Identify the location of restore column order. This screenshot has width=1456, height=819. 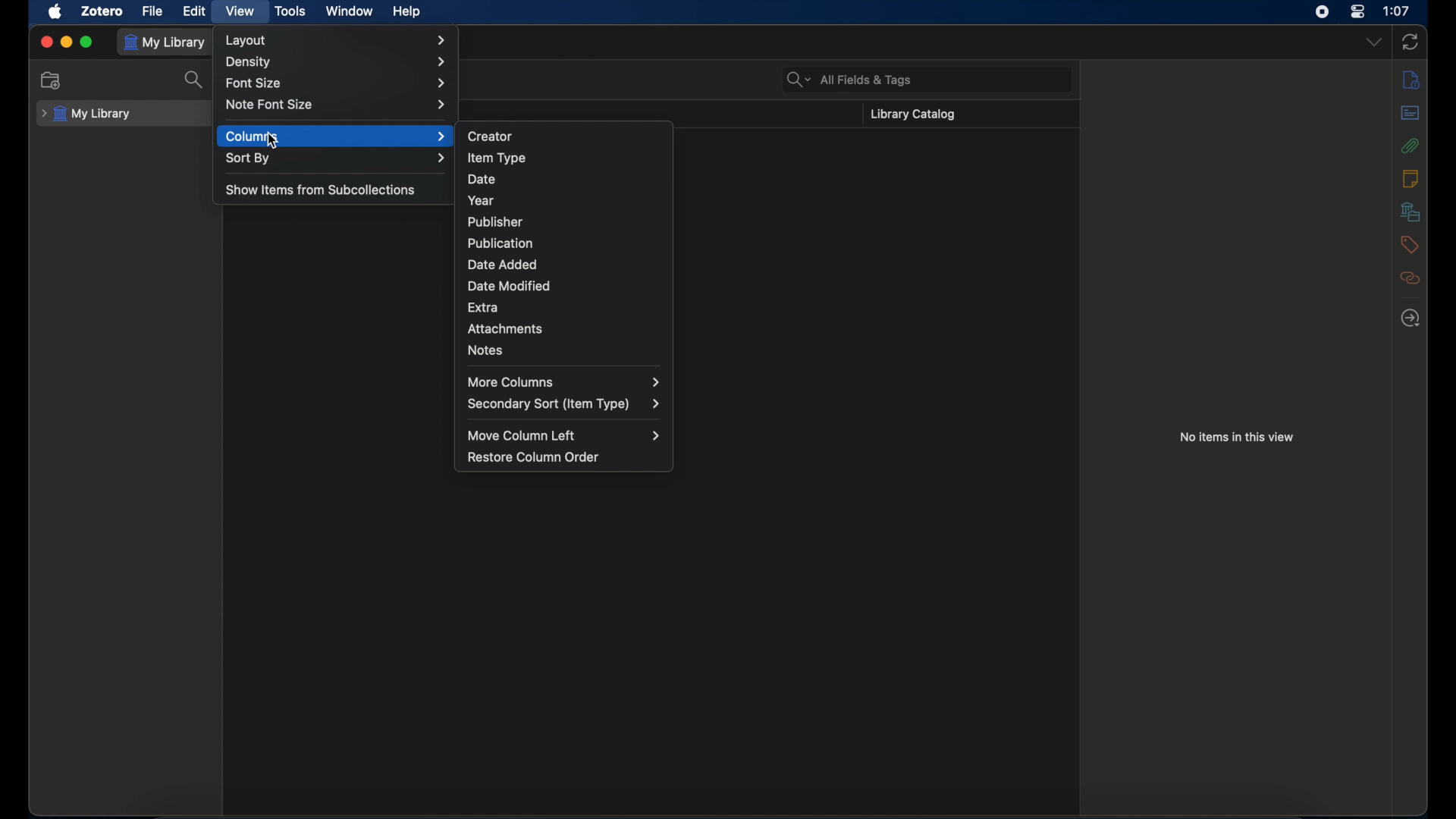
(533, 457).